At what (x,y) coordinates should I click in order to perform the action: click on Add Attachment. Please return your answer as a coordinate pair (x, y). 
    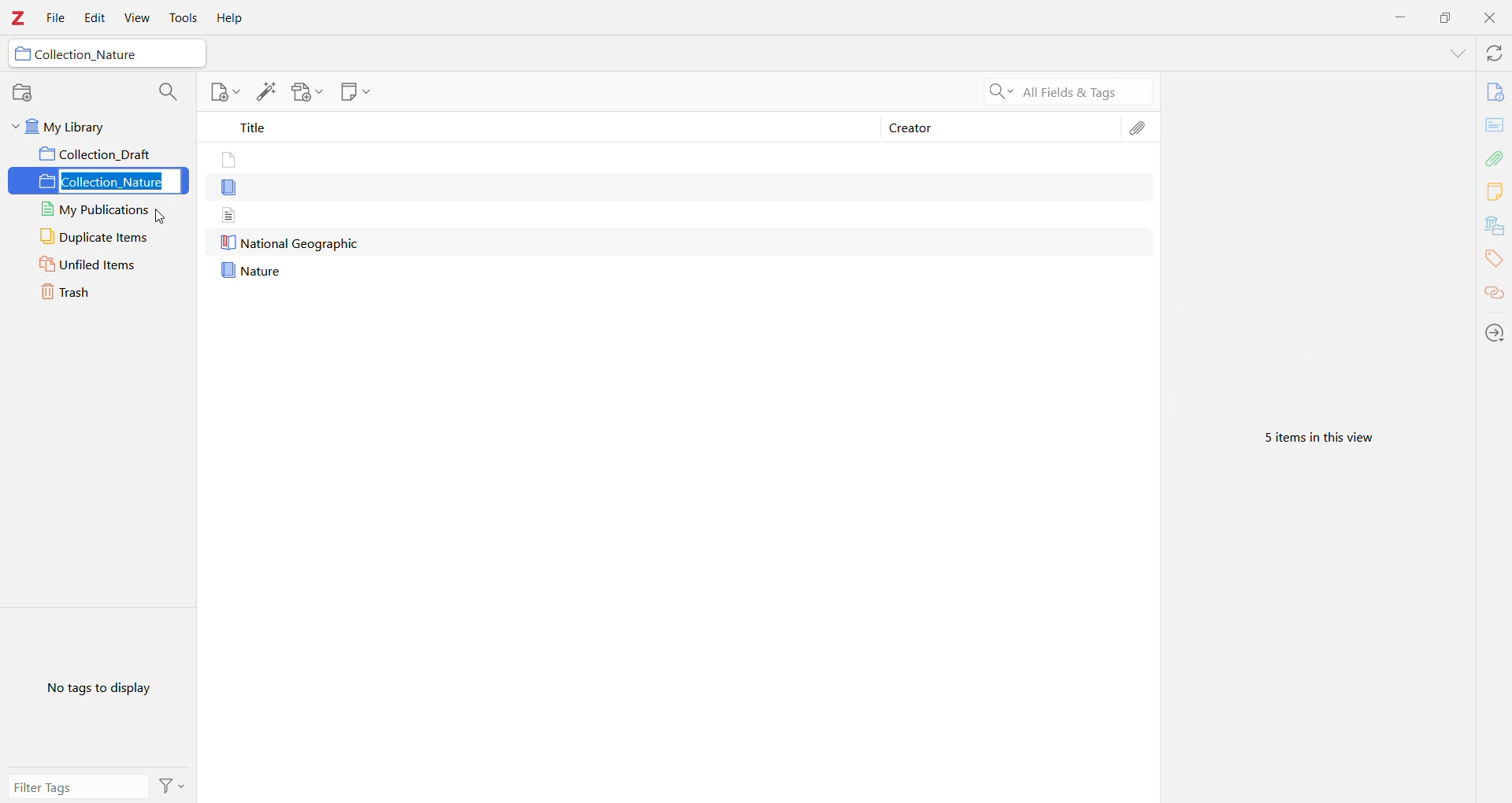
    Looking at the image, I should click on (303, 92).